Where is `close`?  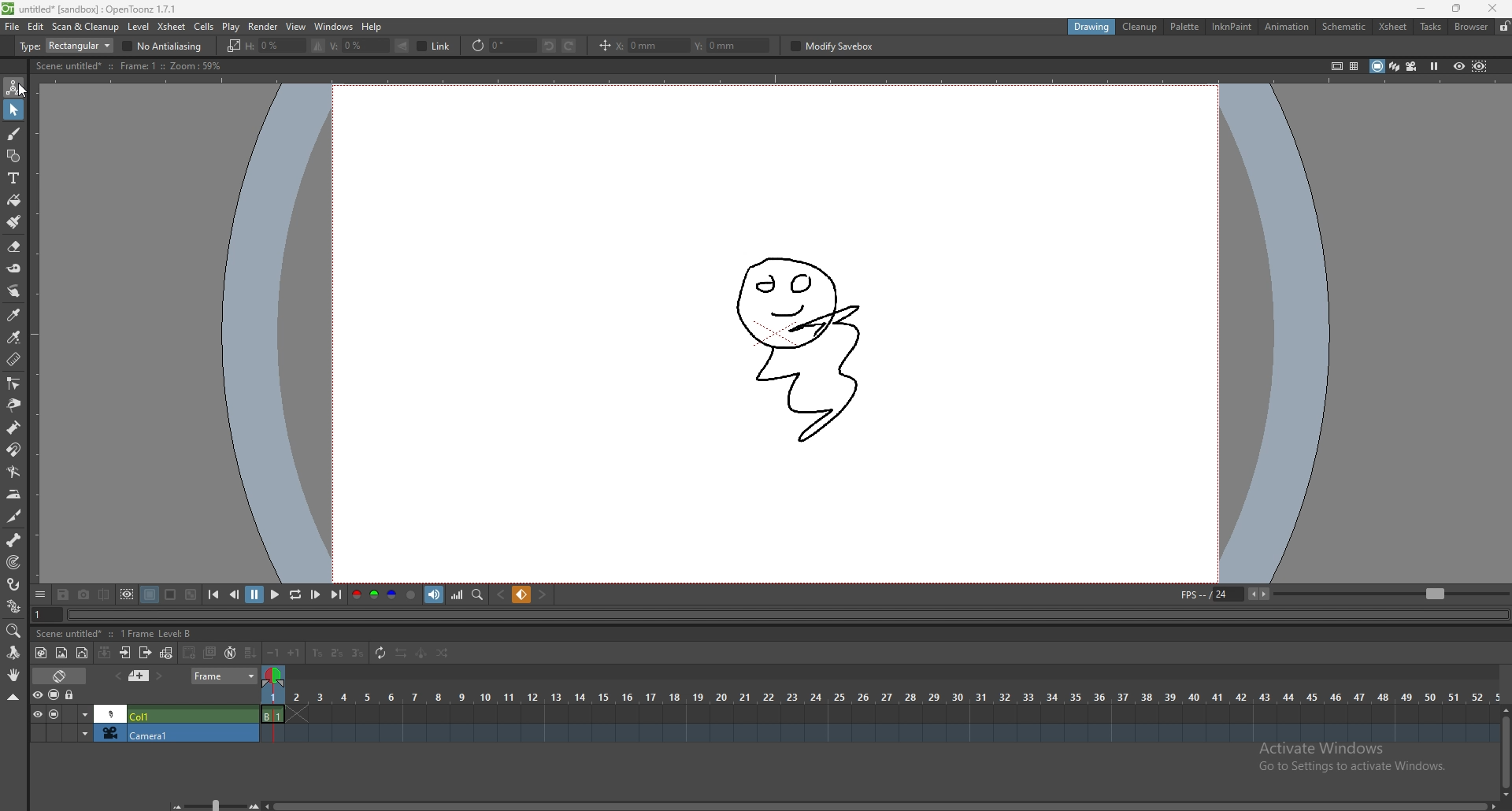
close is located at coordinates (1491, 9).